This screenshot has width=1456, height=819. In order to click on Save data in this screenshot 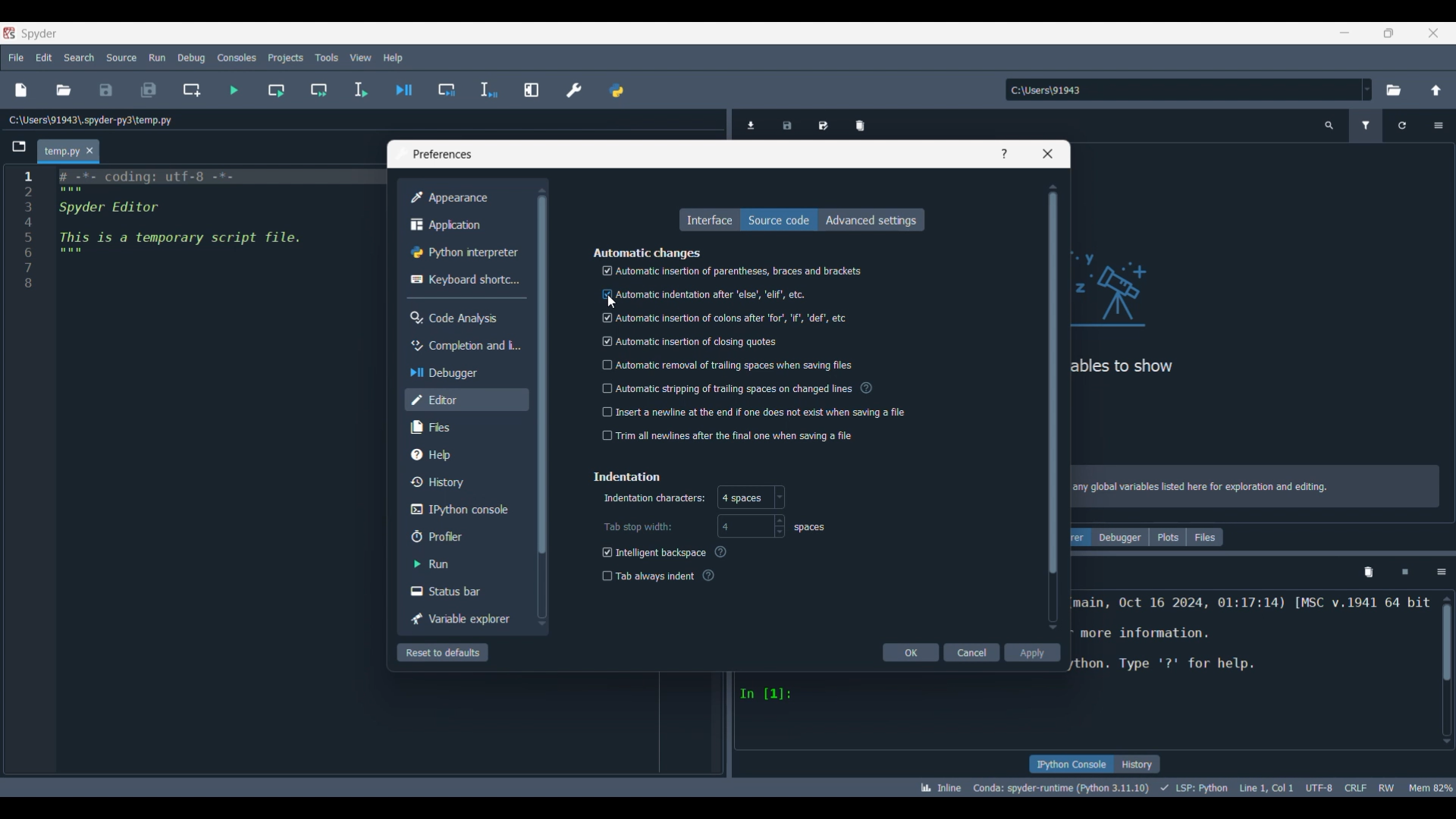, I will do `click(786, 124)`.